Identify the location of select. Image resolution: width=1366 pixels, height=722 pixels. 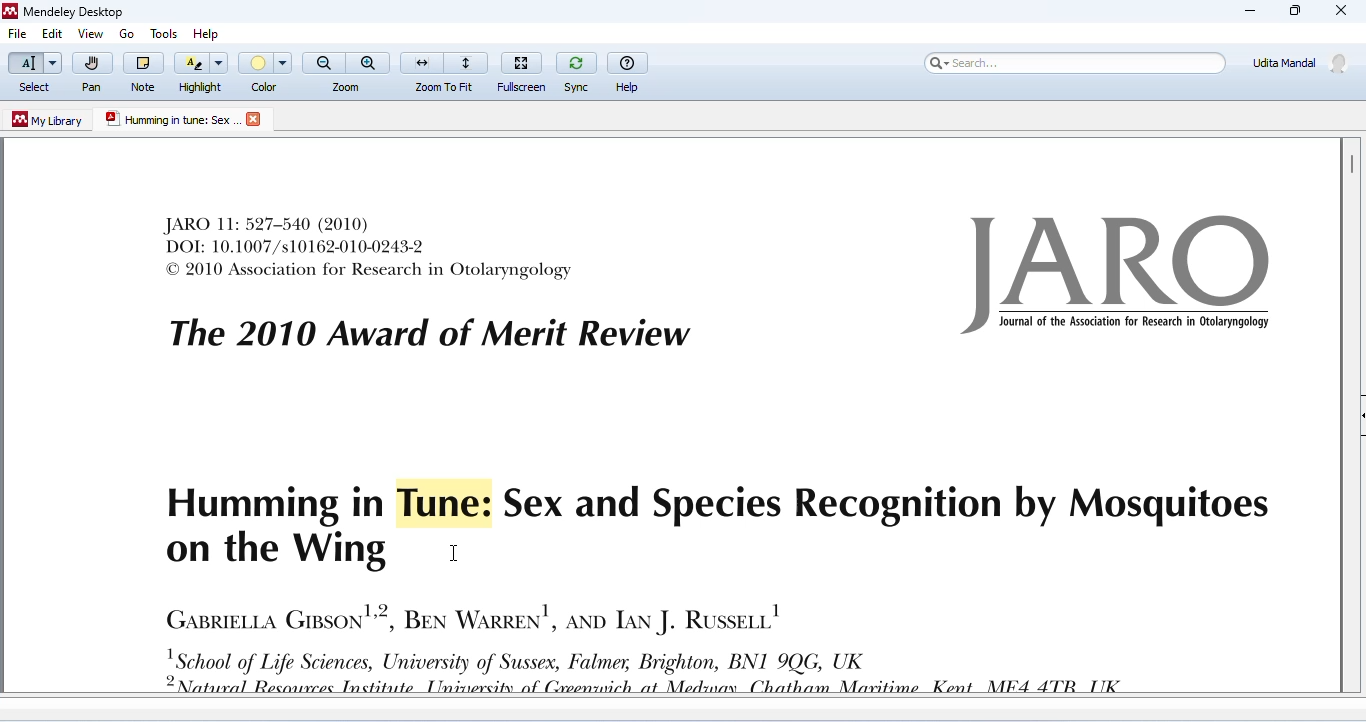
(33, 73).